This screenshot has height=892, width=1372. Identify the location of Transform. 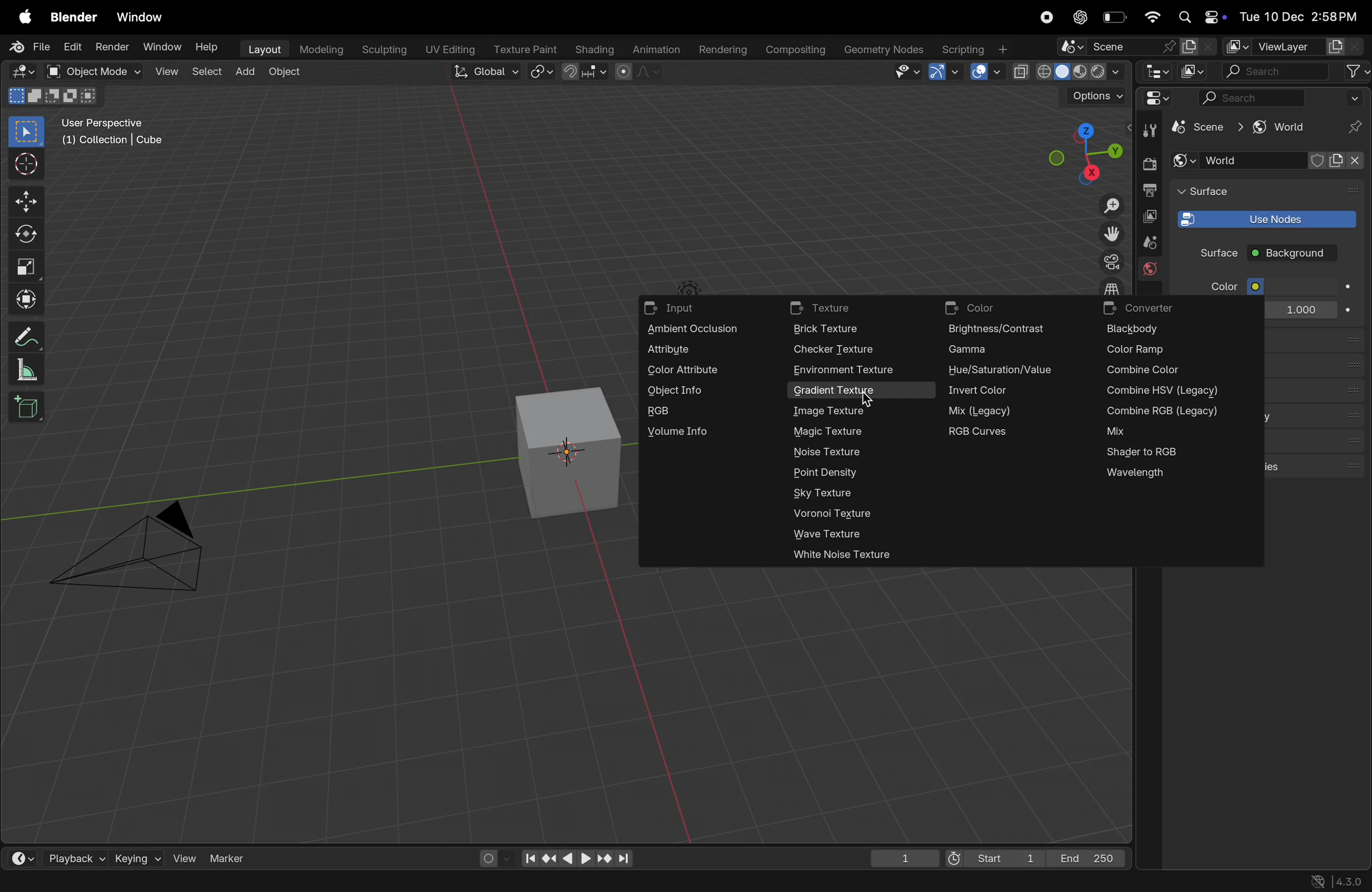
(28, 299).